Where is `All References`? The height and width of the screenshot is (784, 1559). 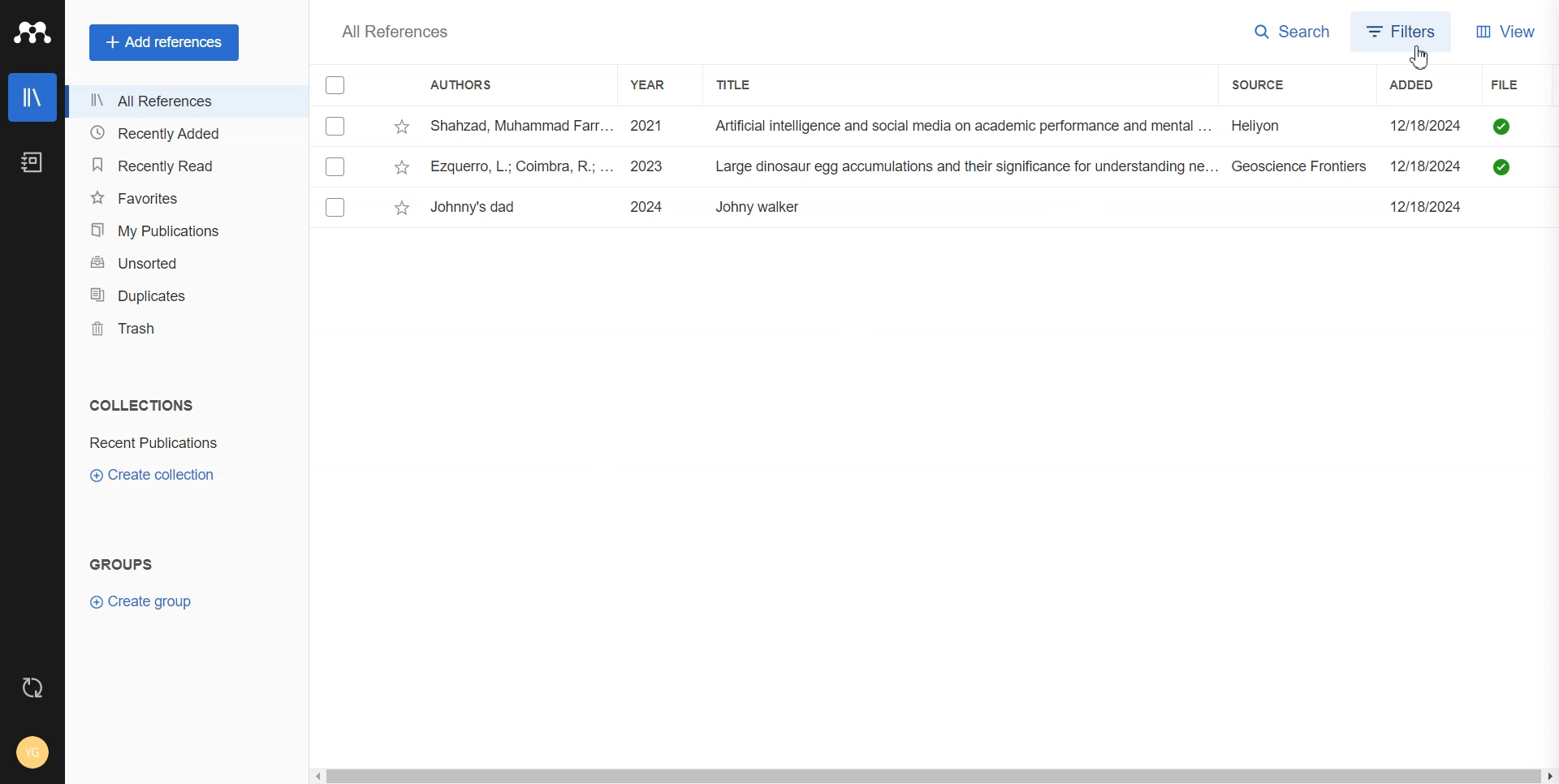 All References is located at coordinates (181, 101).